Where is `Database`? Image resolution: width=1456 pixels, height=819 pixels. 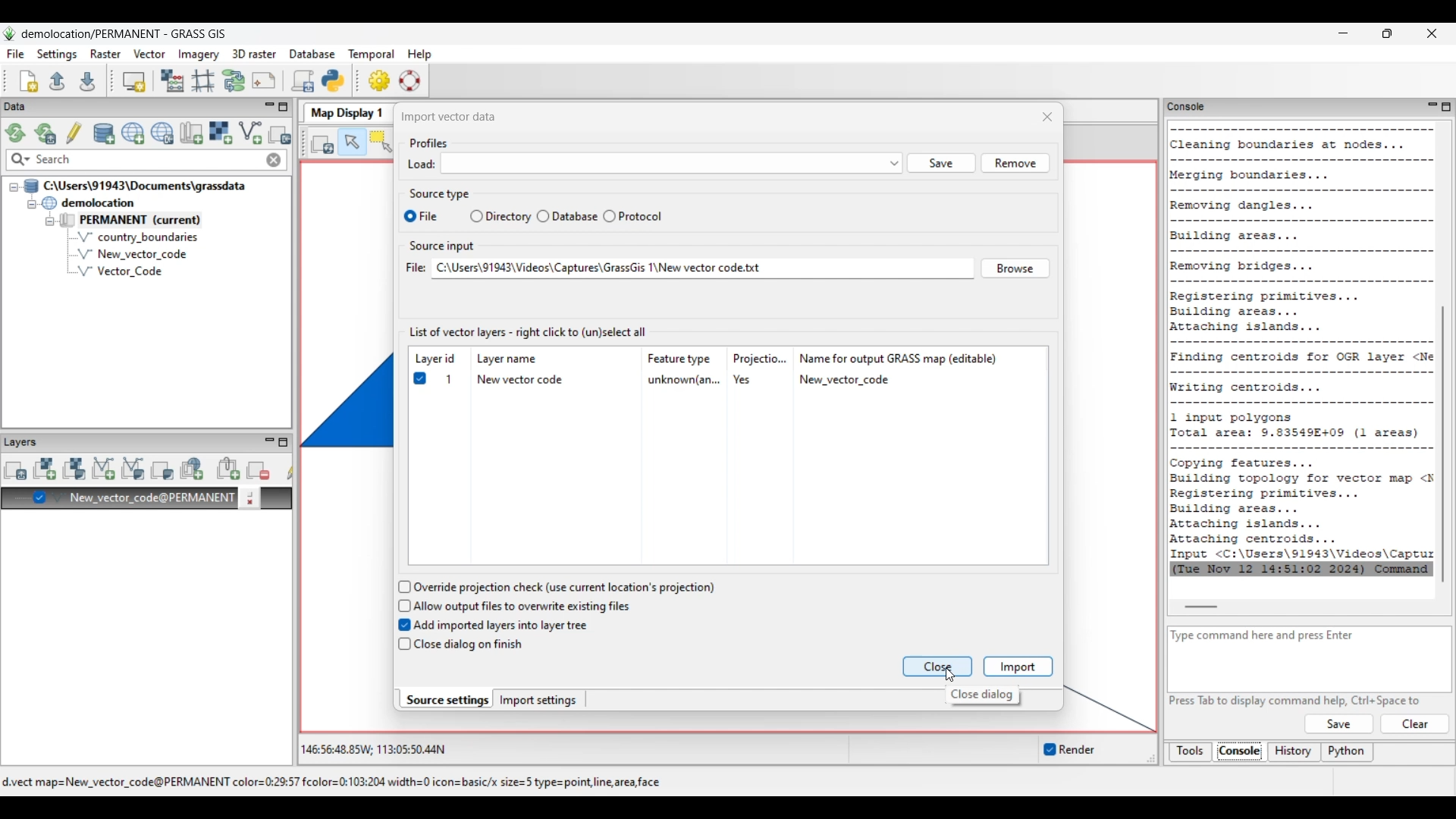
Database is located at coordinates (575, 216).